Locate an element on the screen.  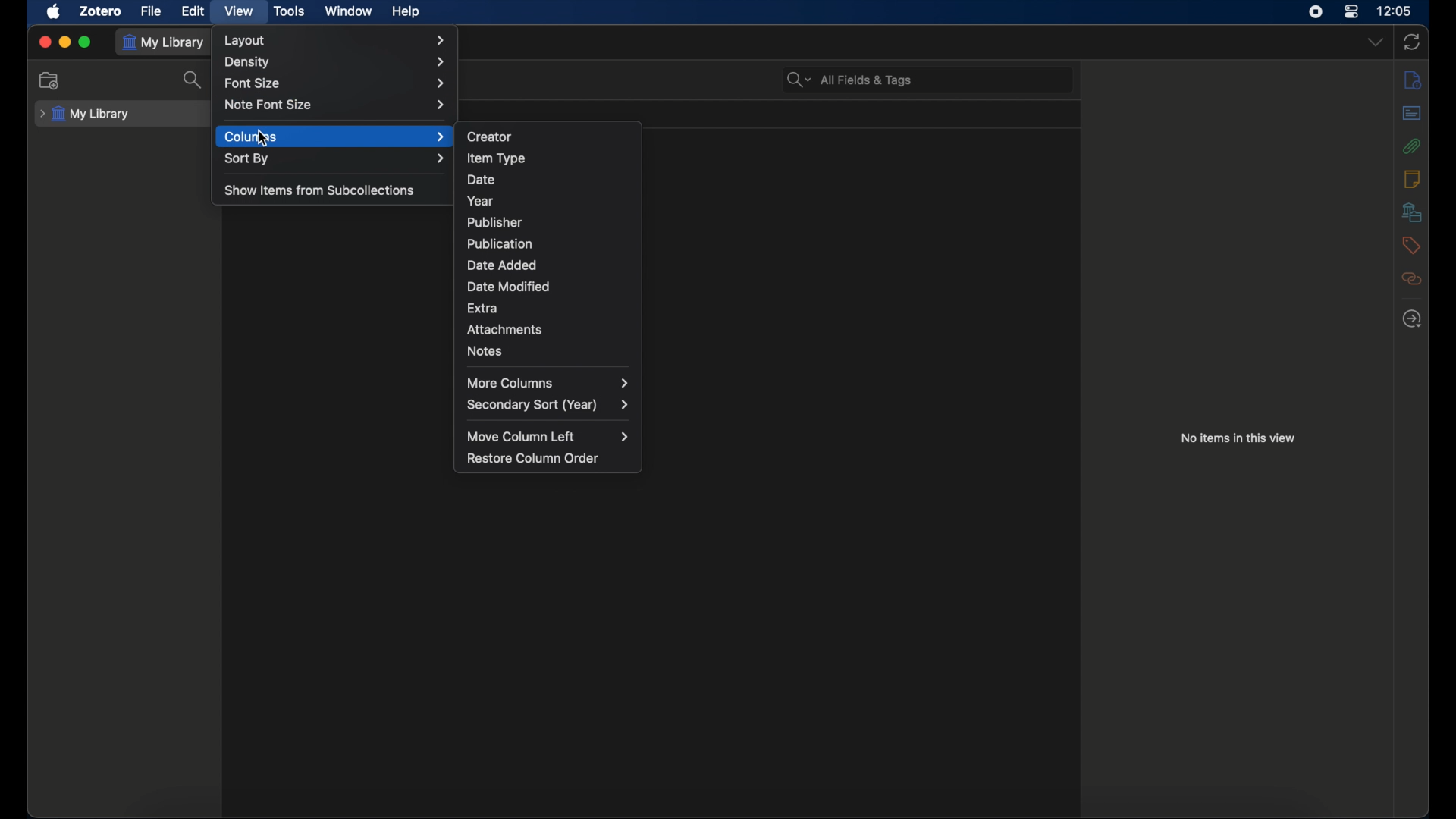
year is located at coordinates (481, 201).